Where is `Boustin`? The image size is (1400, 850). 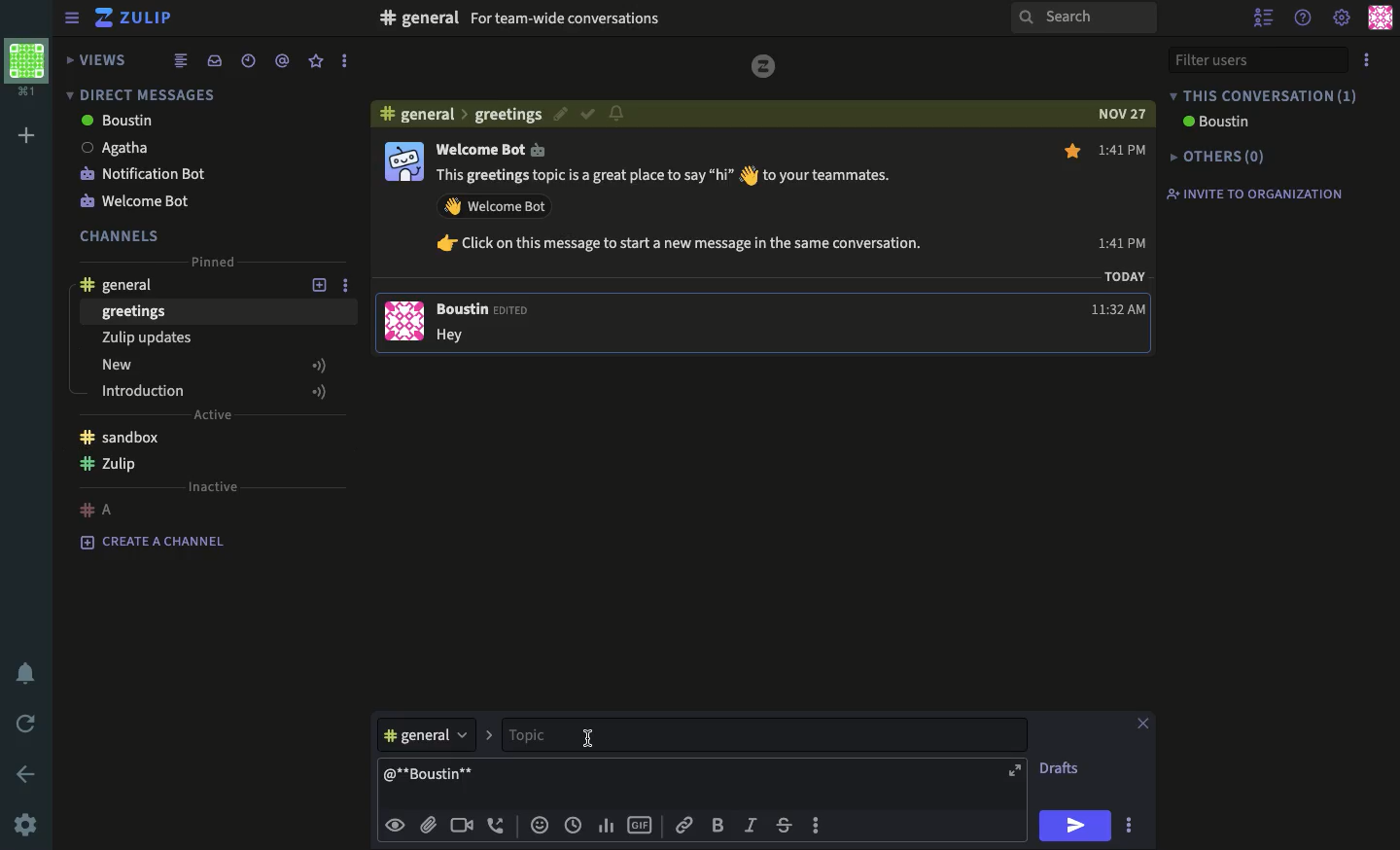
Boustin is located at coordinates (487, 311).